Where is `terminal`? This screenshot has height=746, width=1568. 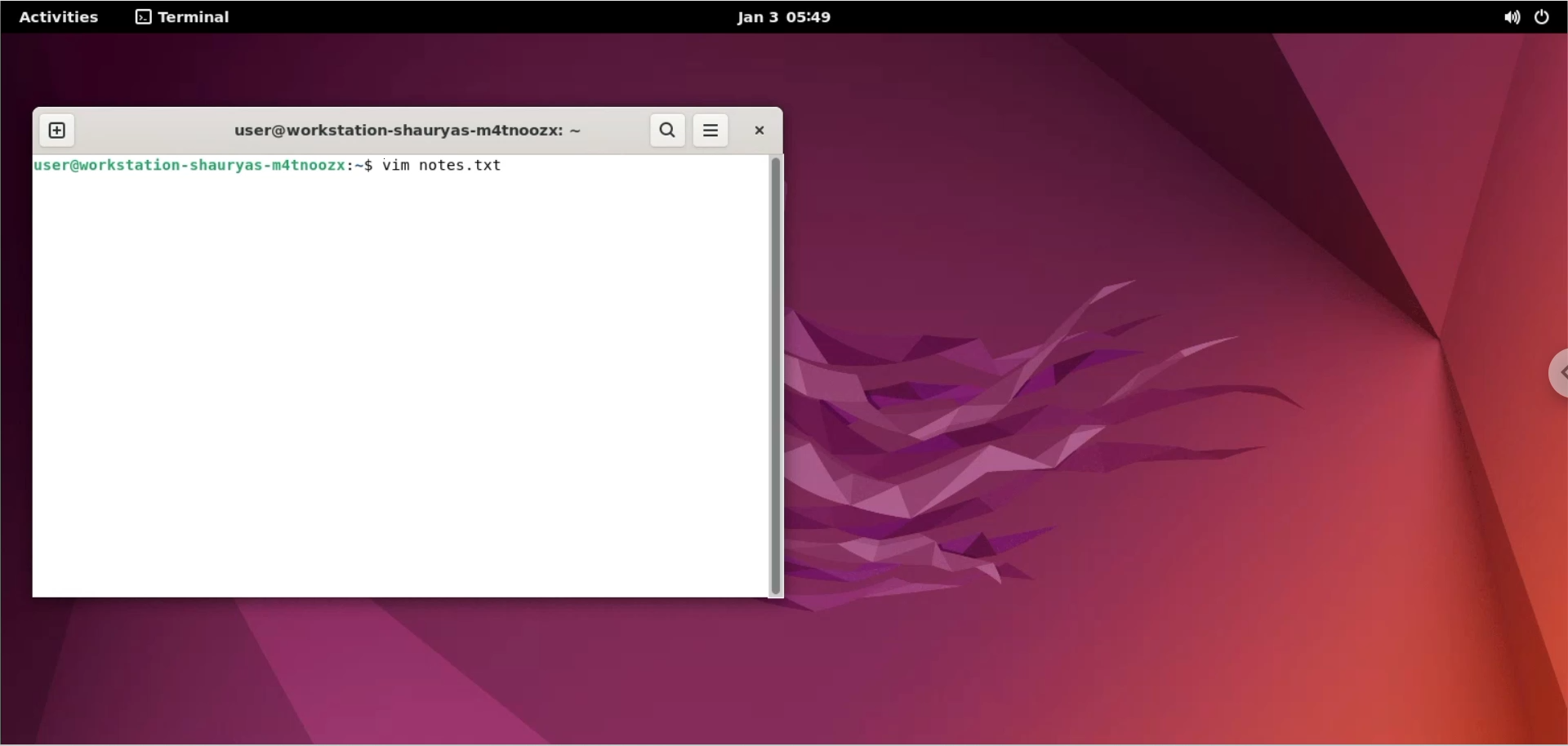
terminal is located at coordinates (188, 16).